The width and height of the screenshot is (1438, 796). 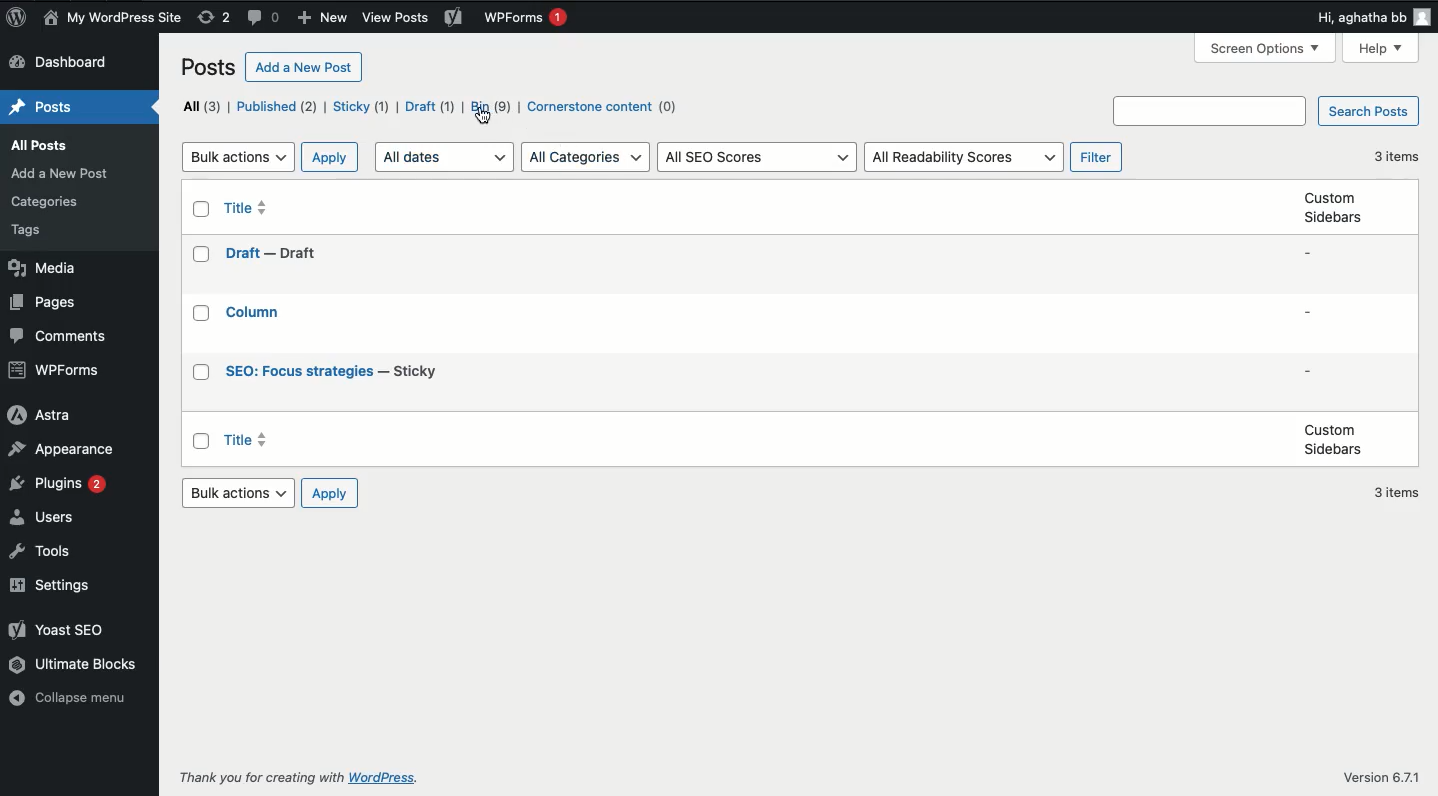 What do you see at coordinates (332, 492) in the screenshot?
I see `Apply` at bounding box center [332, 492].